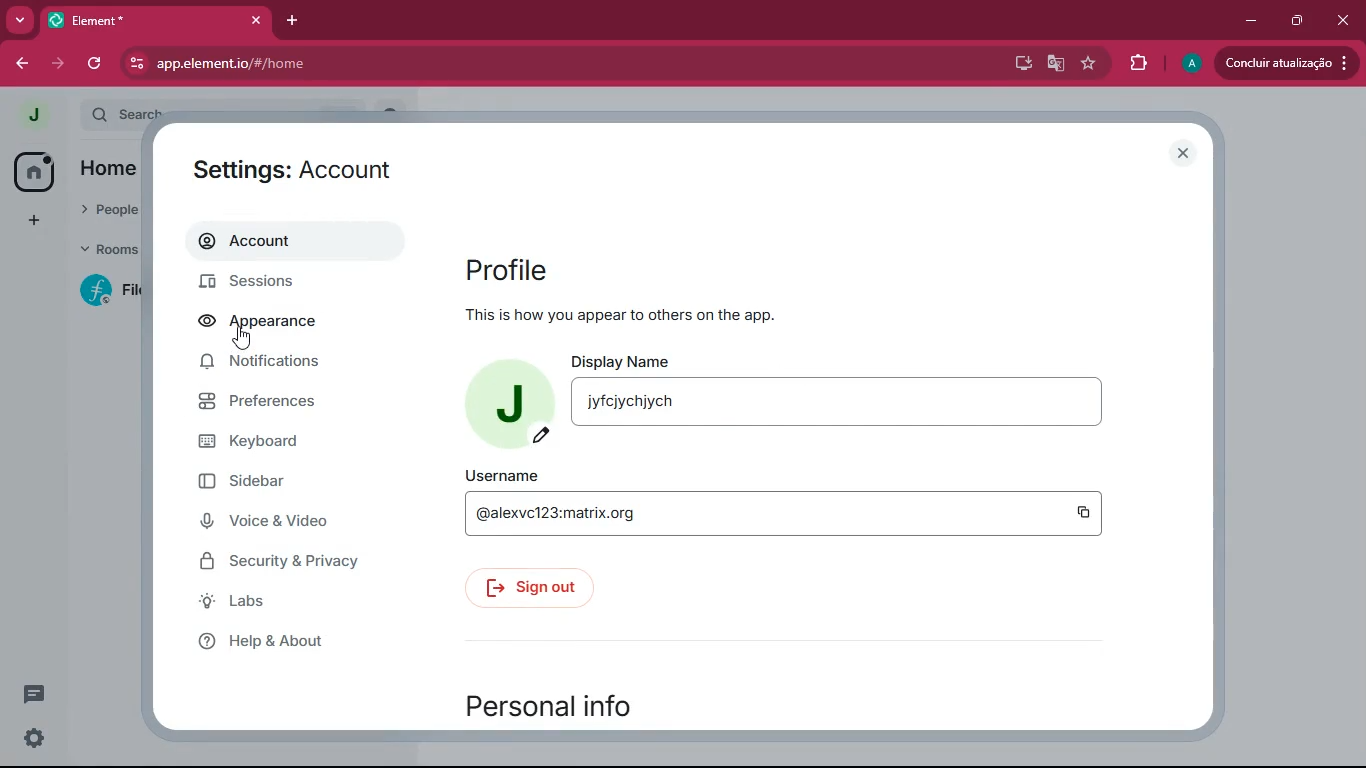 This screenshot has height=768, width=1366. Describe the element at coordinates (294, 20) in the screenshot. I see `add tab` at that location.